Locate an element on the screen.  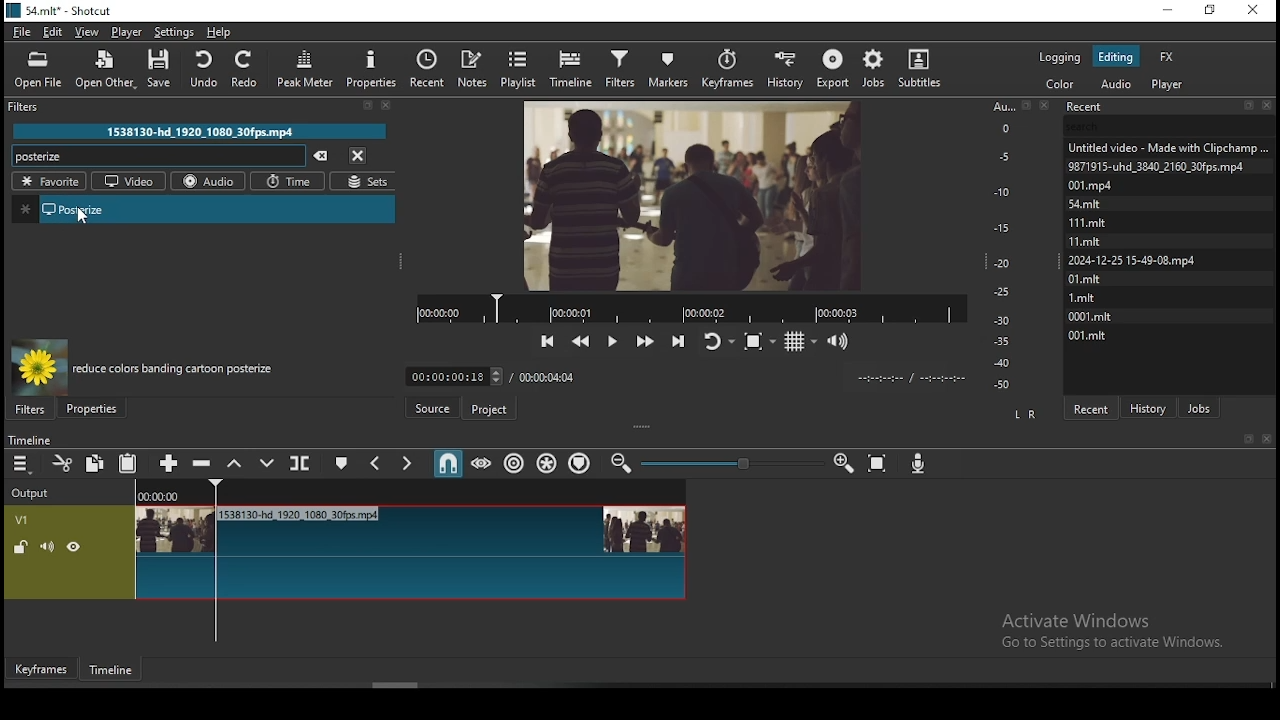
file is located at coordinates (21, 34).